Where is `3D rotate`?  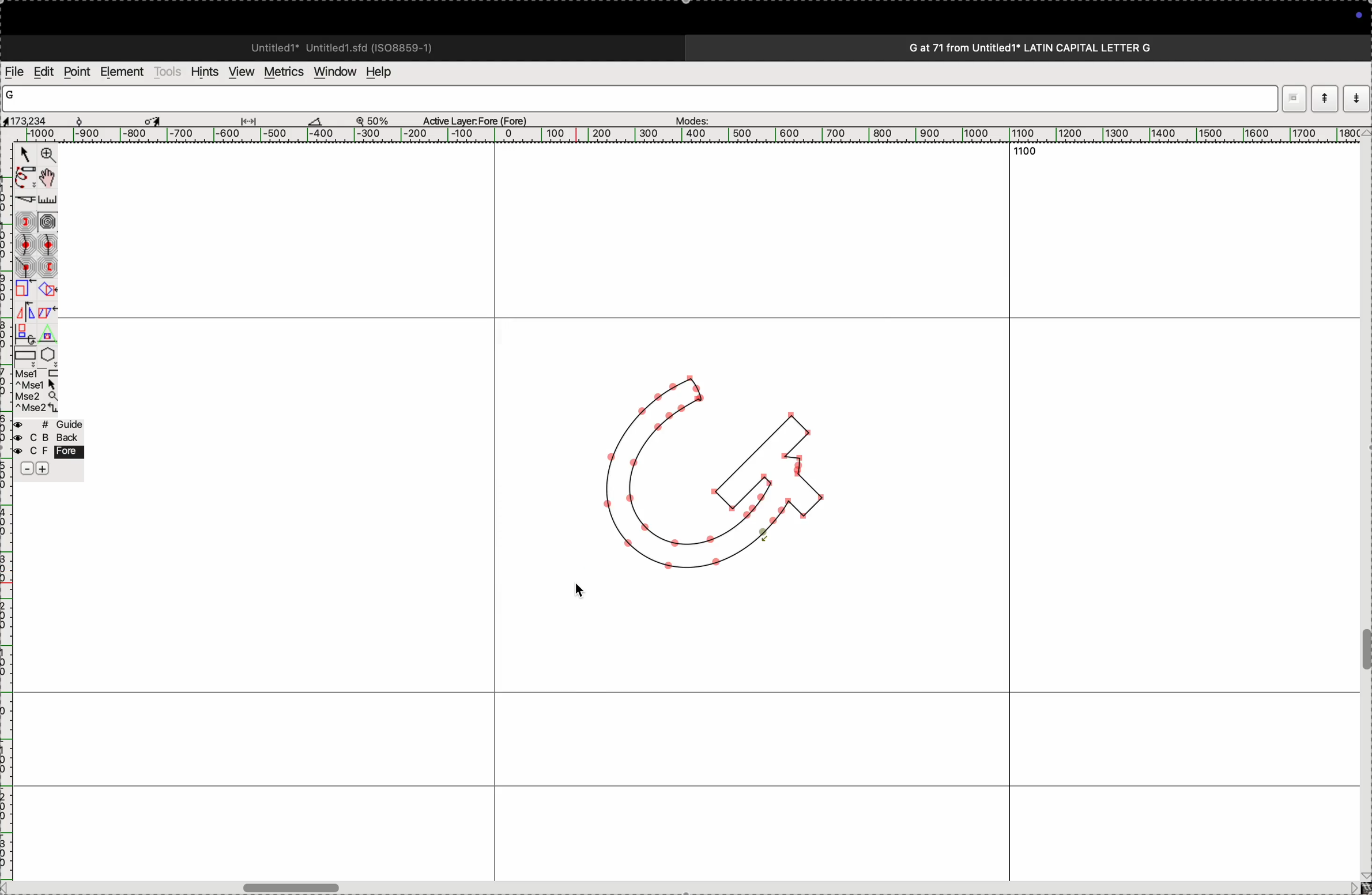 3D rotate is located at coordinates (25, 334).